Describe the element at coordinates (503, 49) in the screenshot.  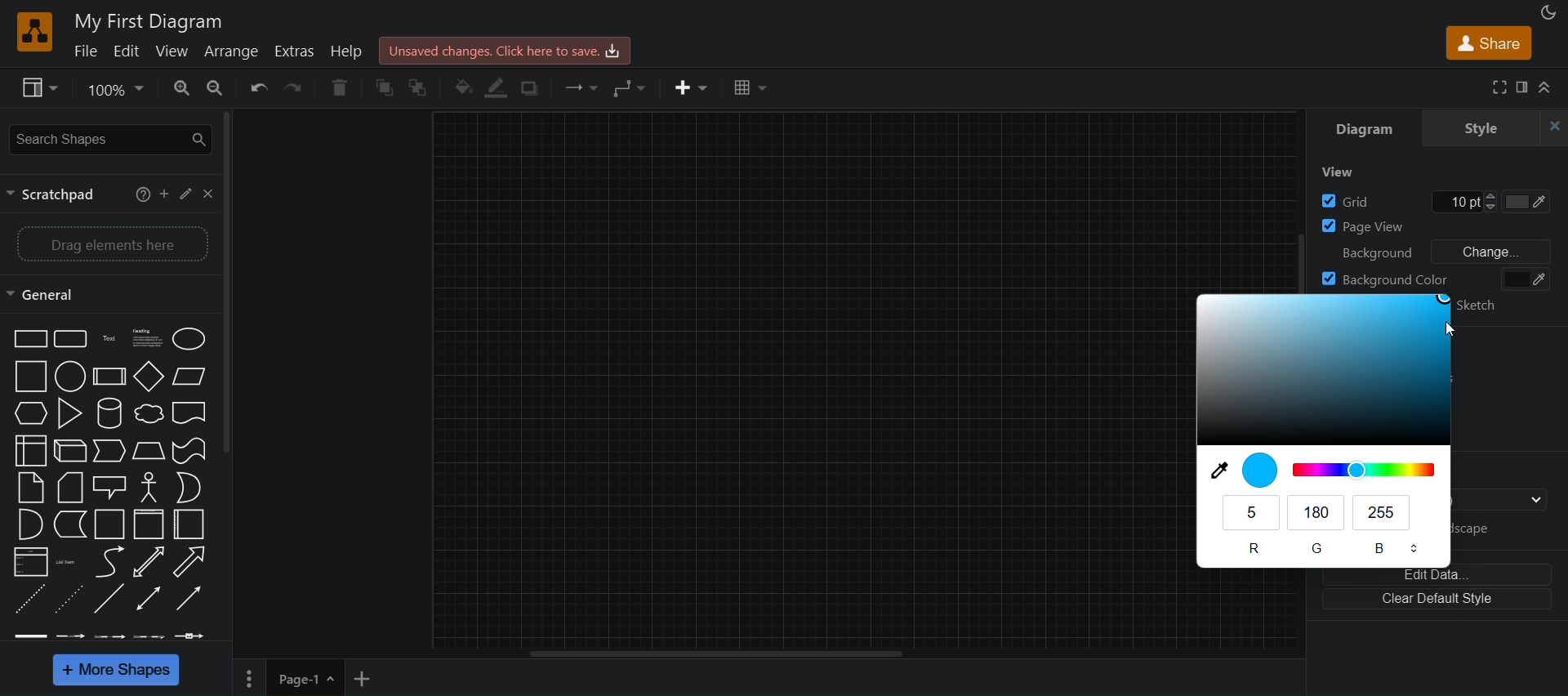
I see `click here to save` at that location.